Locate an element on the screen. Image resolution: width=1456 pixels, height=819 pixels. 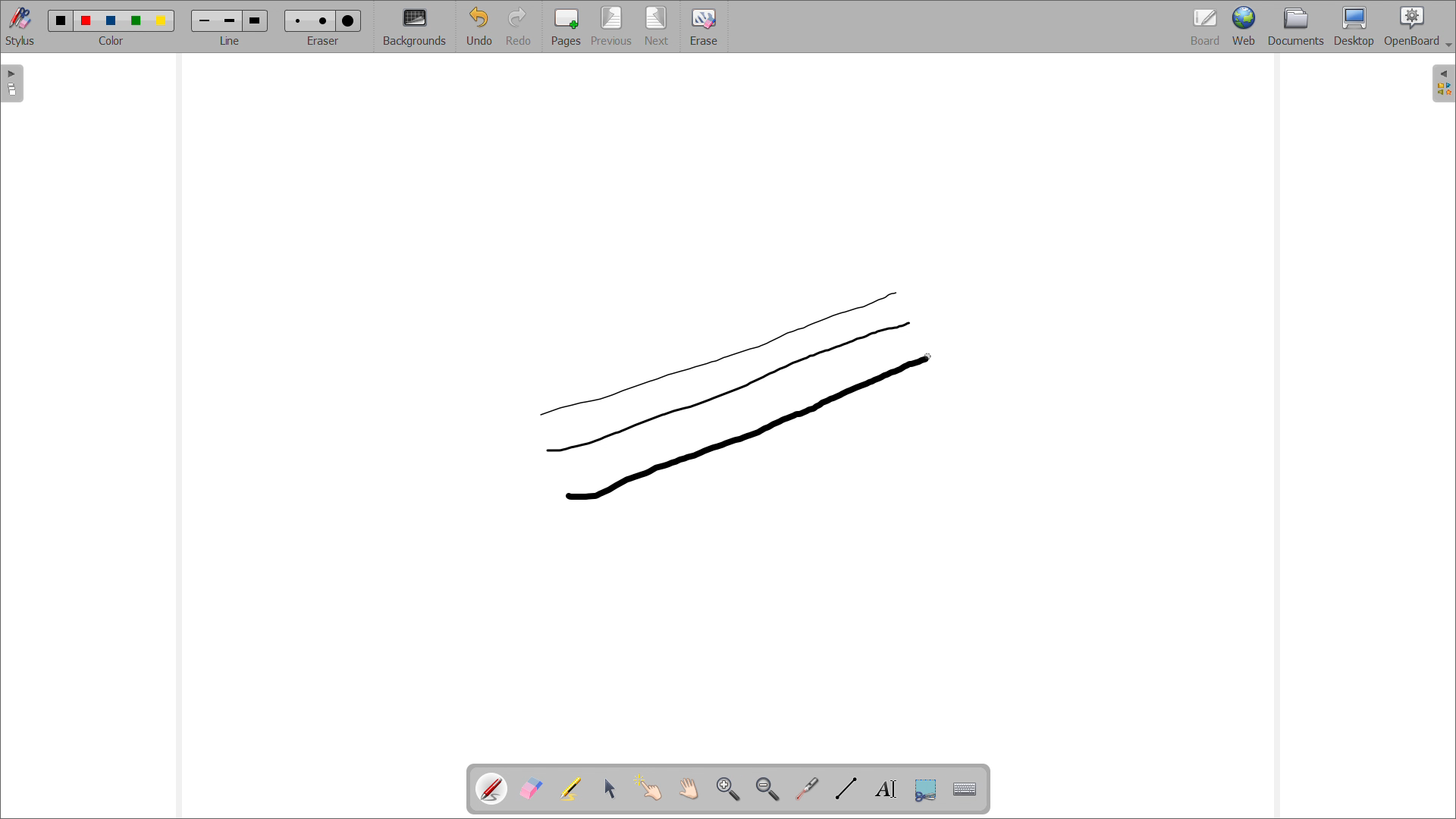
line width size is located at coordinates (255, 20).